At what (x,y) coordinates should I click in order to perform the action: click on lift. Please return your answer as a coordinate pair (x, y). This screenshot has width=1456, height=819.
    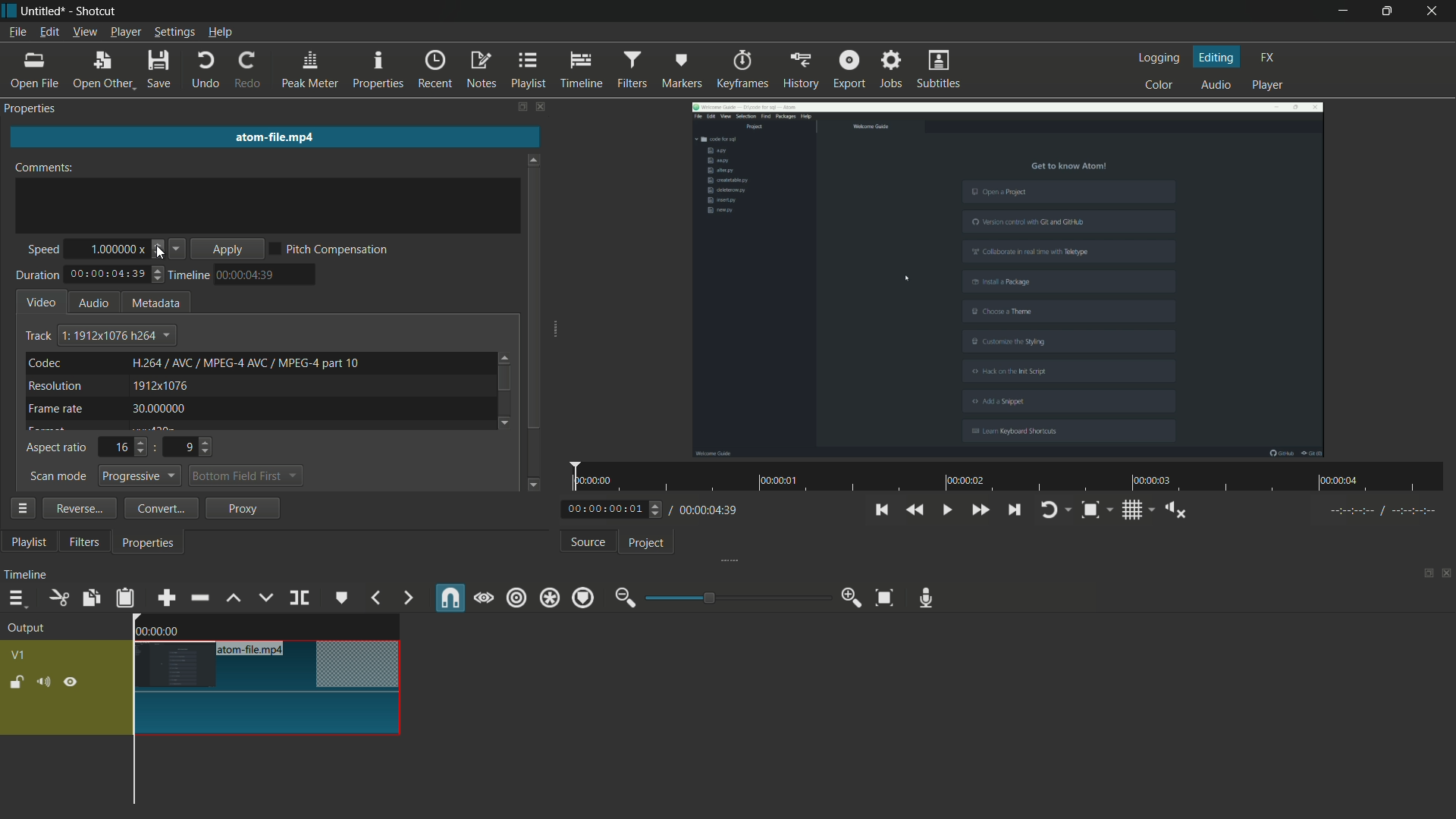
    Looking at the image, I should click on (233, 598).